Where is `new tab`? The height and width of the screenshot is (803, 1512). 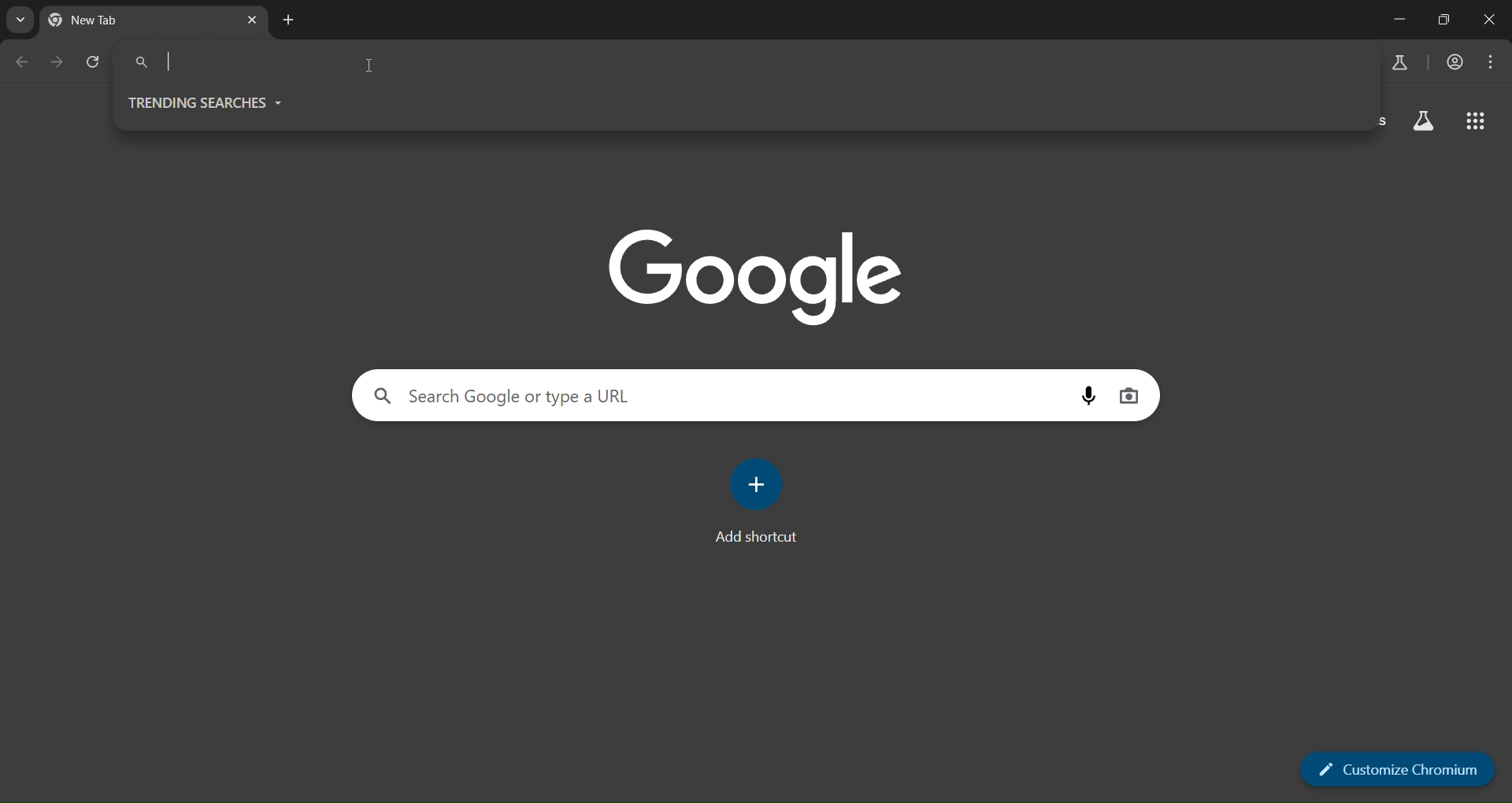 new tab is located at coordinates (291, 21).